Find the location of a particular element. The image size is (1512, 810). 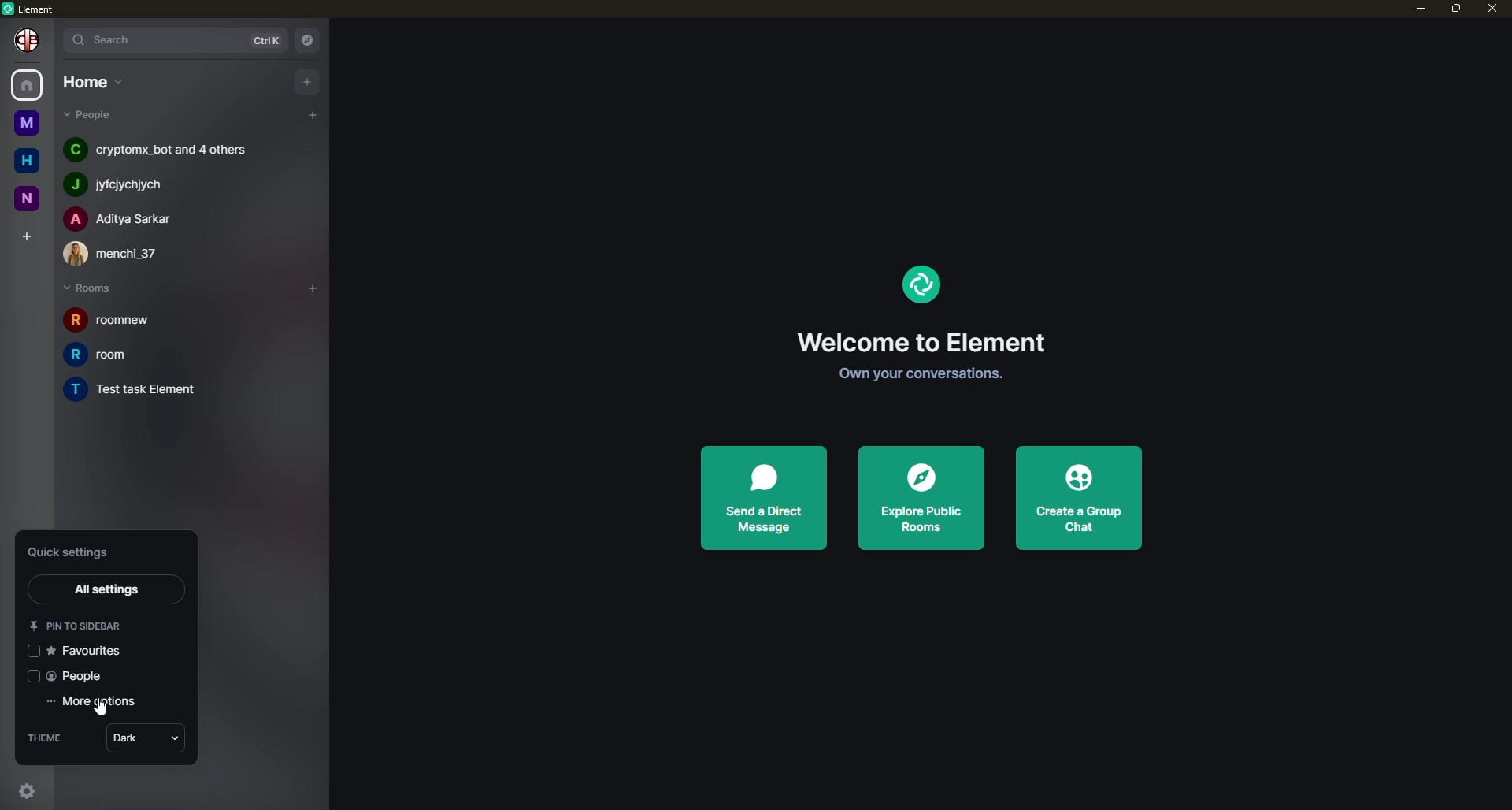

home is located at coordinates (91, 83).